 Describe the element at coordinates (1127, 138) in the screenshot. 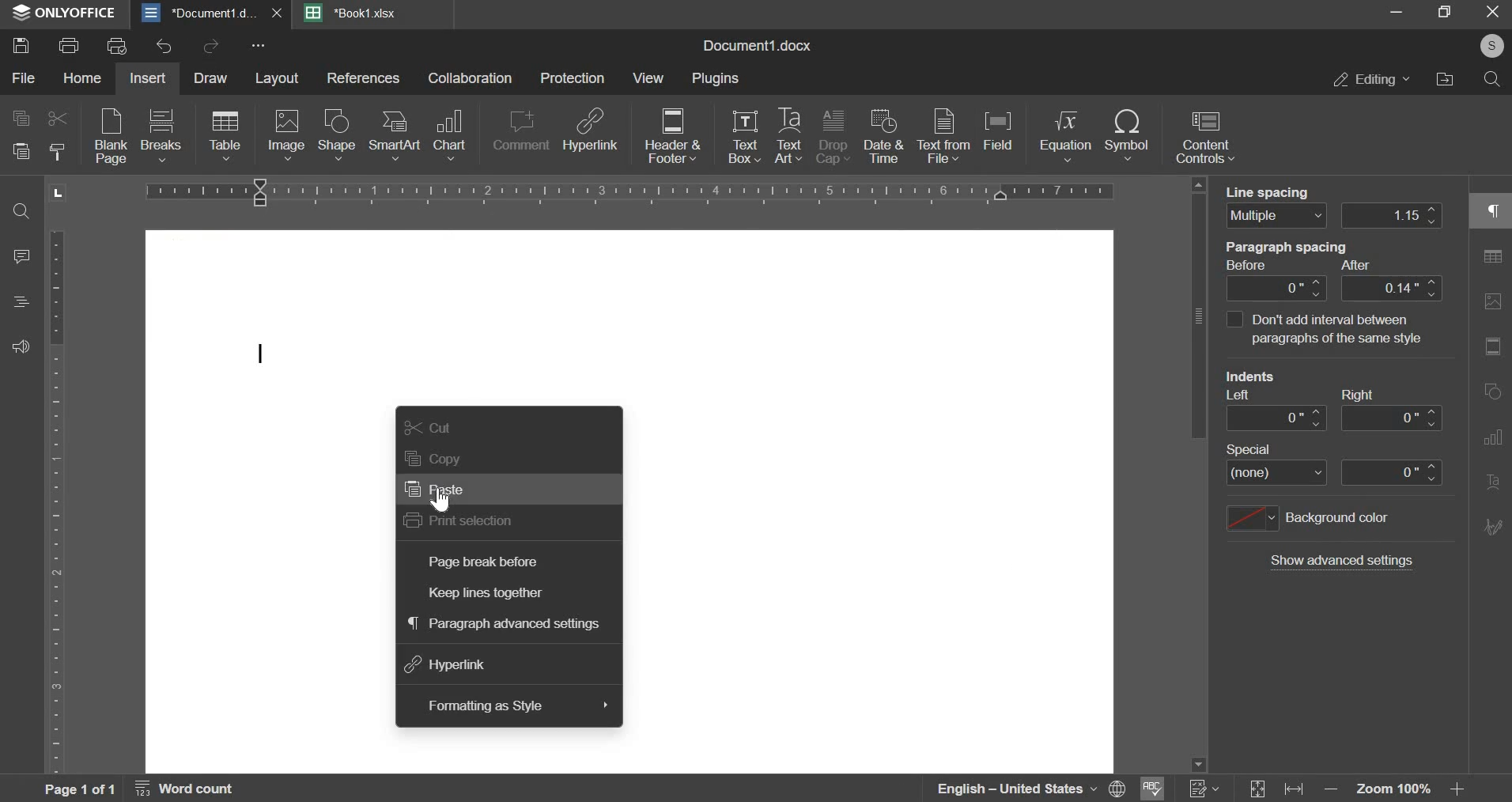

I see `symbol` at that location.